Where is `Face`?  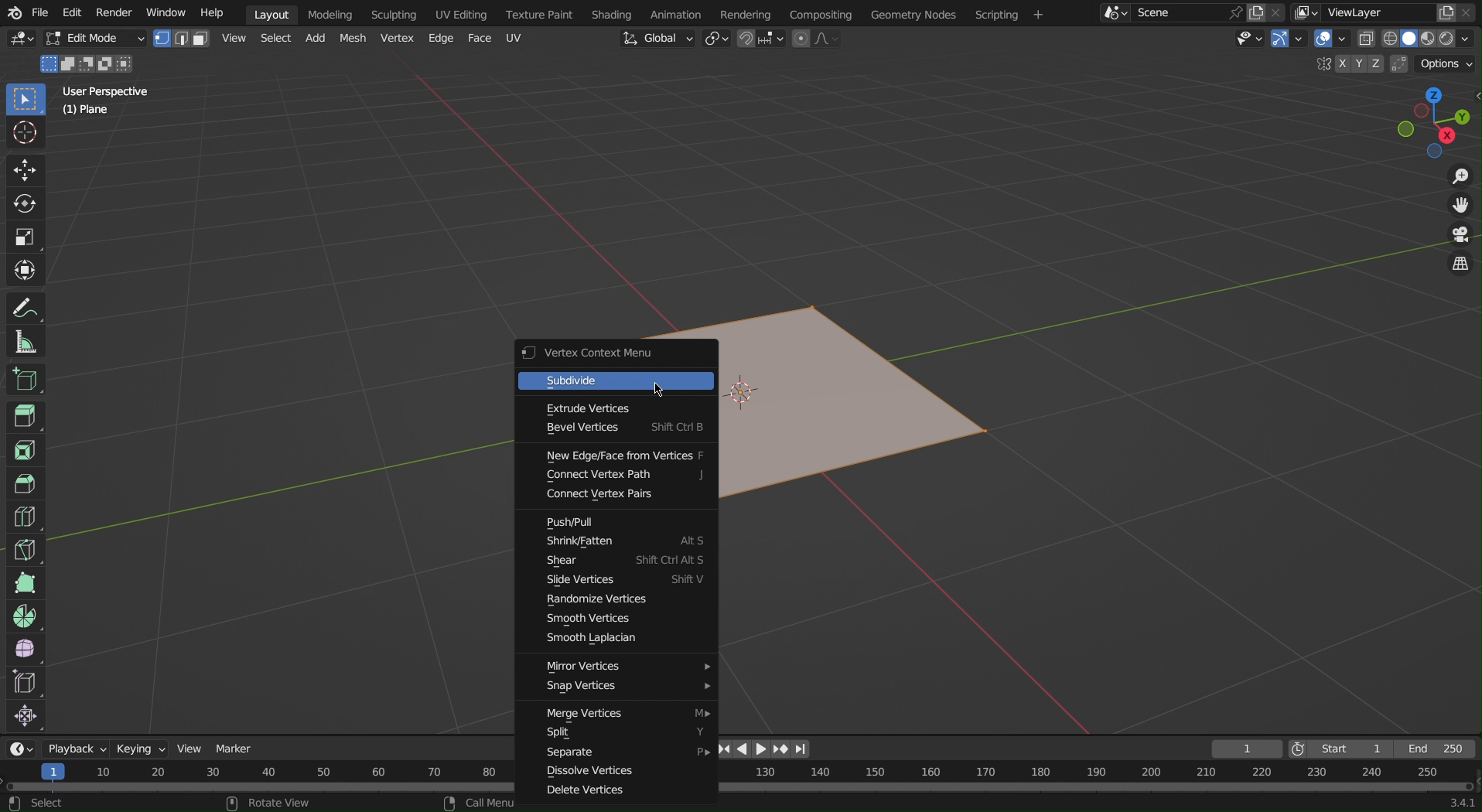
Face is located at coordinates (480, 39).